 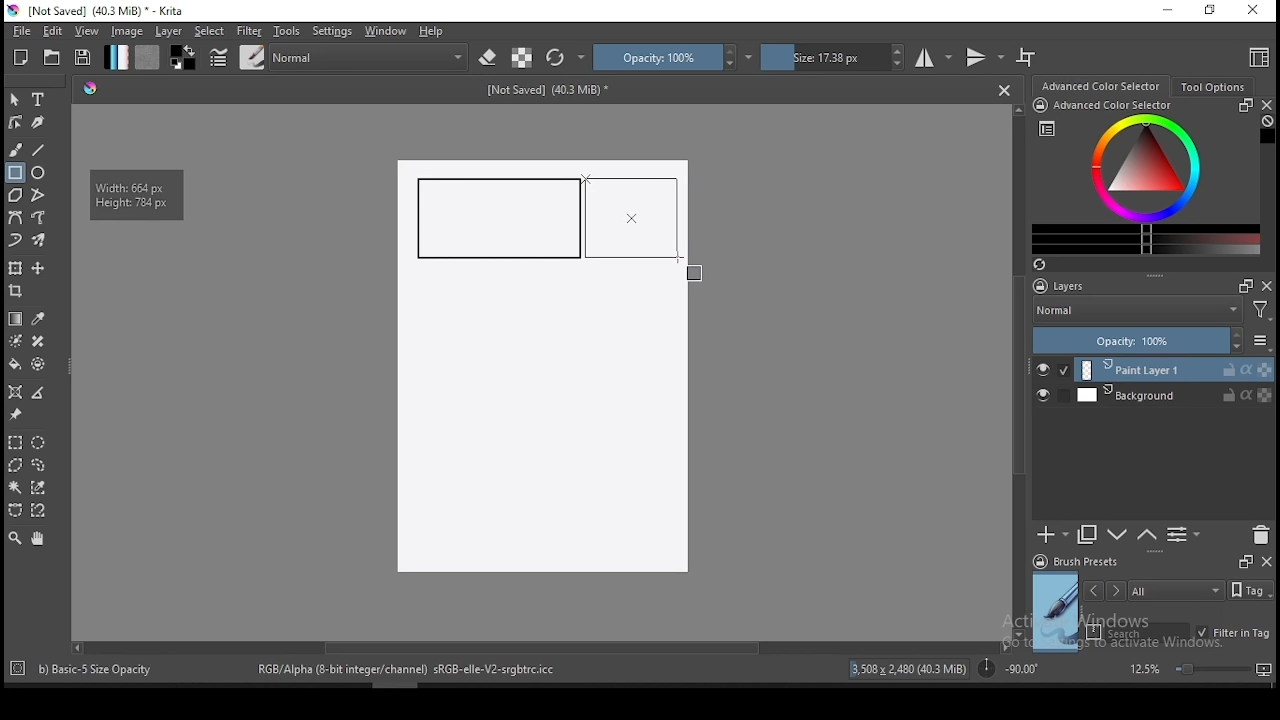 I want to click on polyline tool, so click(x=38, y=193).